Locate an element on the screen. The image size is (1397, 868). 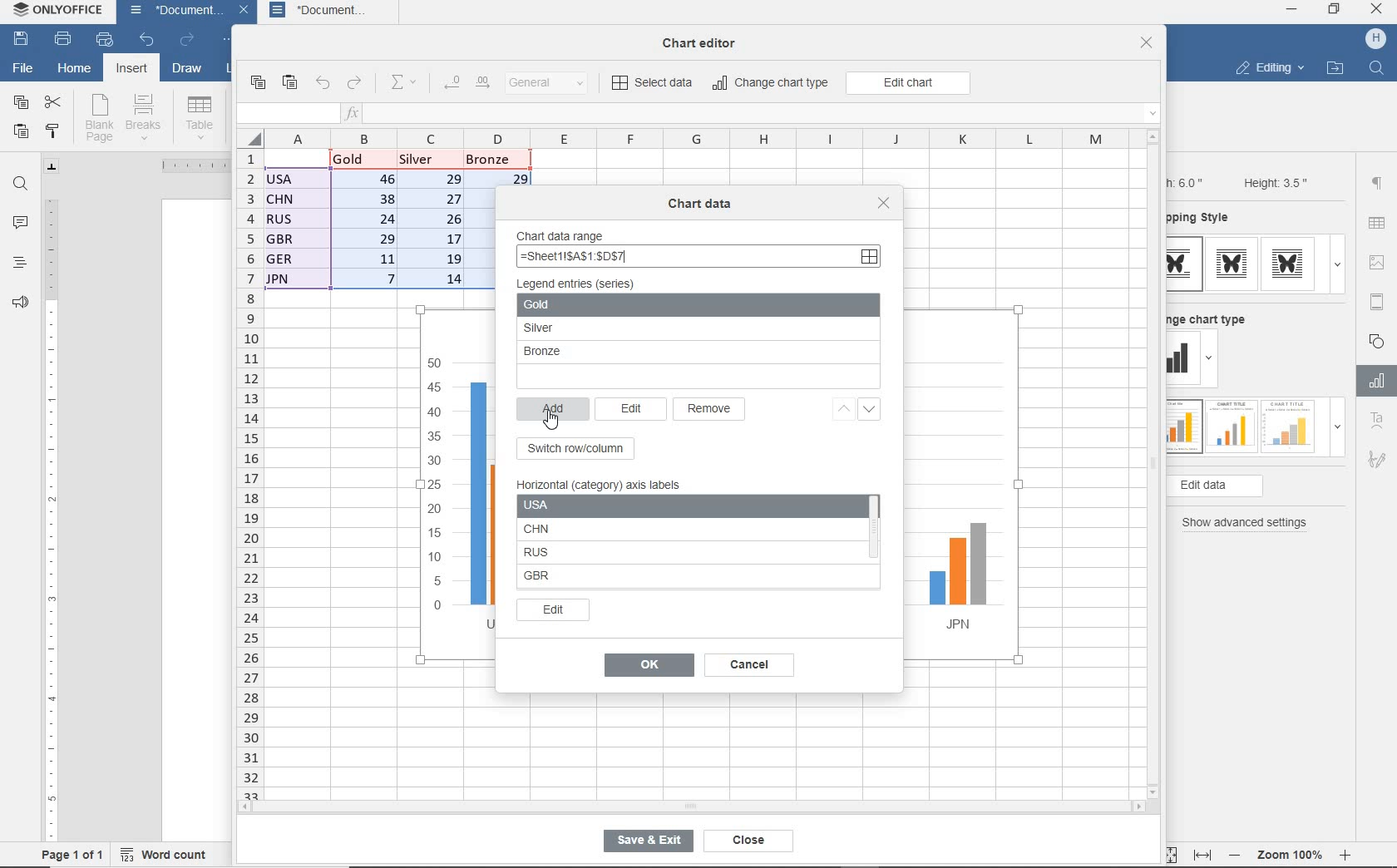
ruler is located at coordinates (187, 165).